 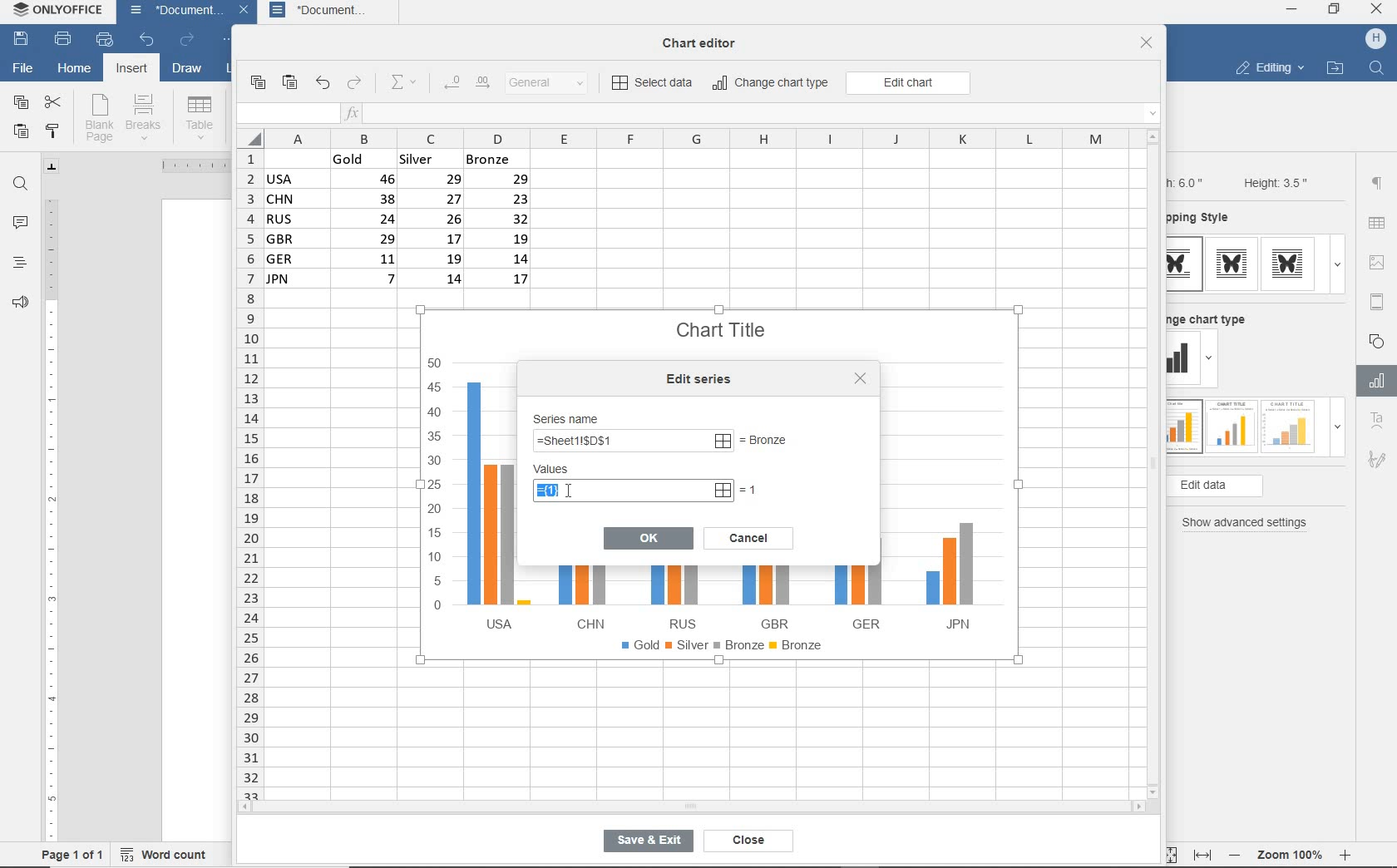 What do you see at coordinates (52, 166) in the screenshot?
I see `tab stop` at bounding box center [52, 166].